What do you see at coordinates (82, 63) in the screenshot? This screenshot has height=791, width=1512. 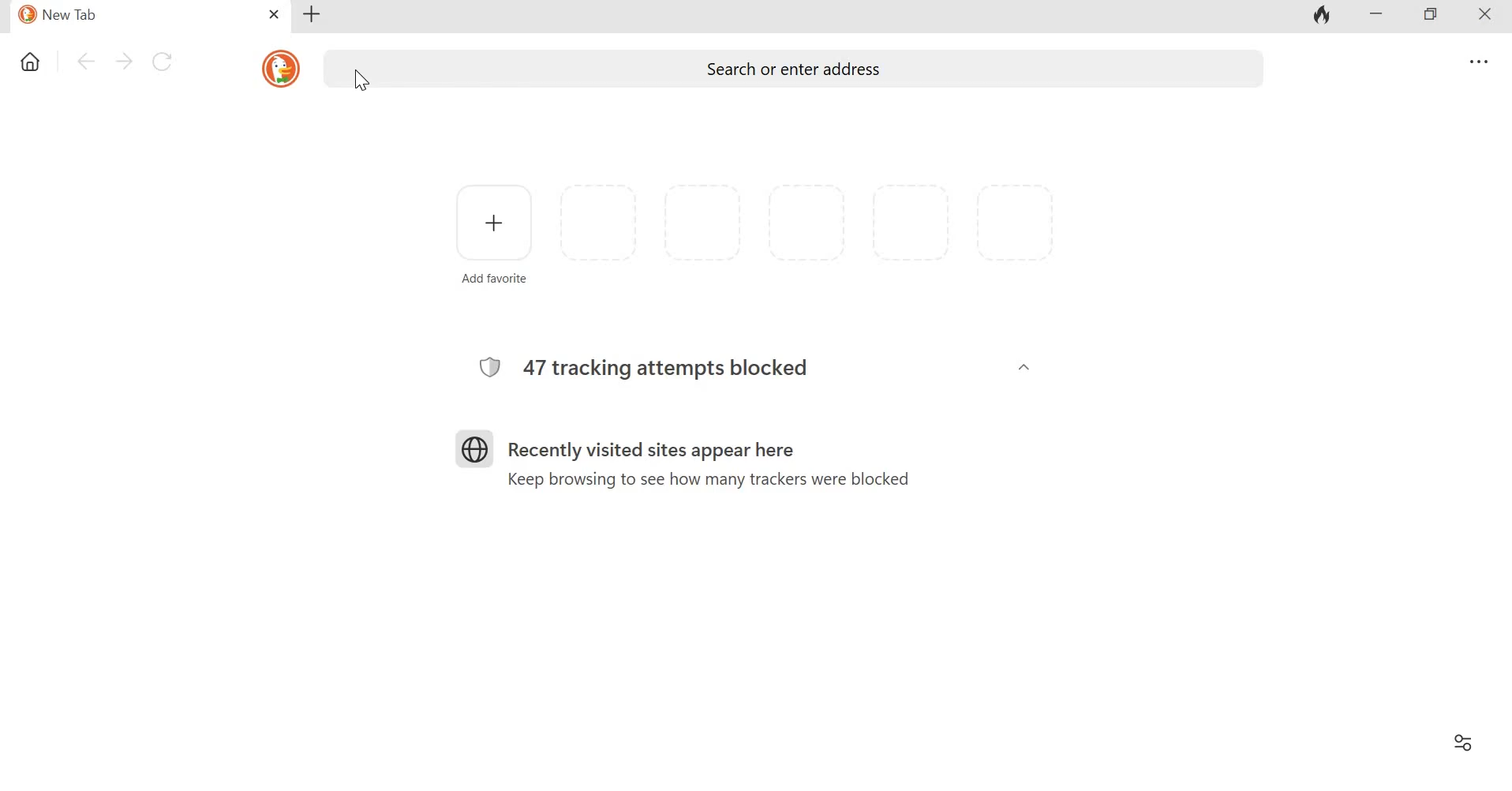 I see `Go back one page` at bounding box center [82, 63].